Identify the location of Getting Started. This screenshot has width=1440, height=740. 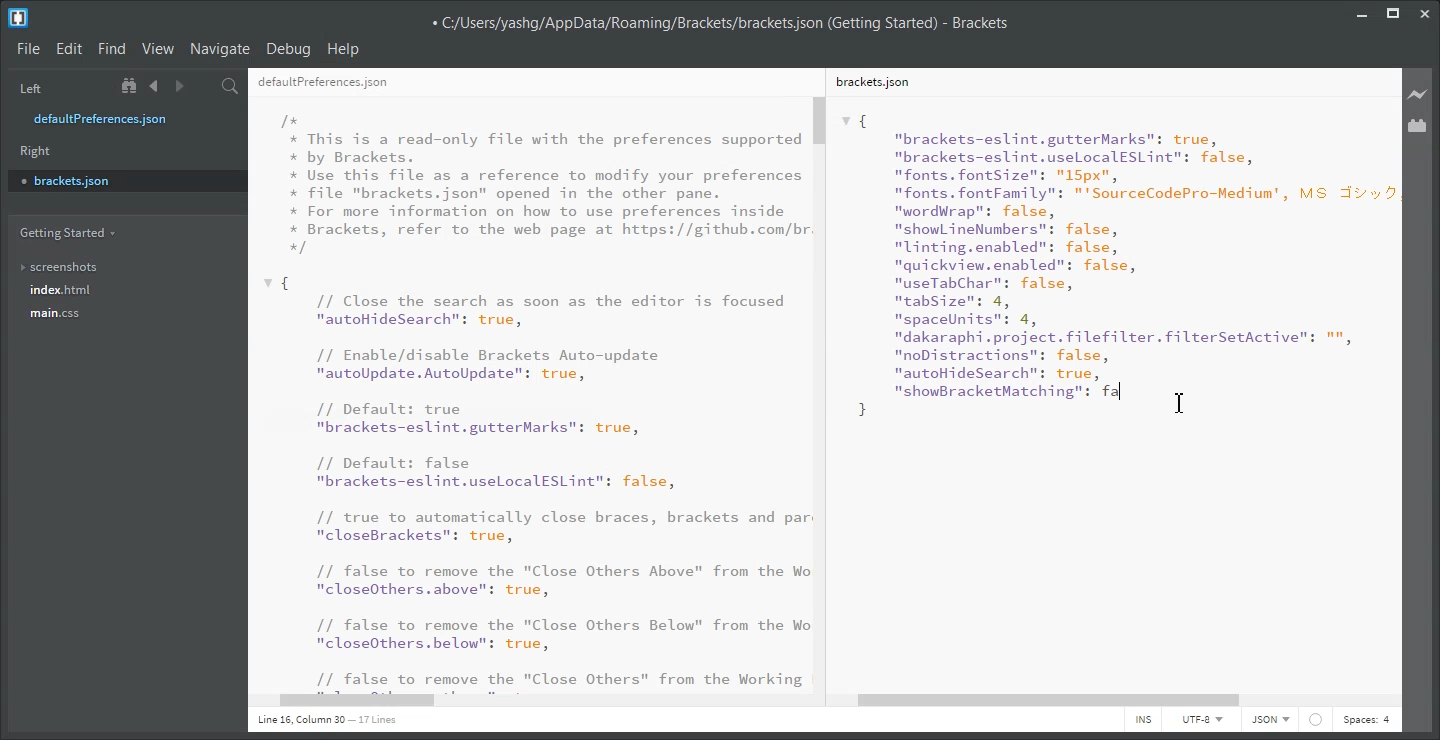
(66, 233).